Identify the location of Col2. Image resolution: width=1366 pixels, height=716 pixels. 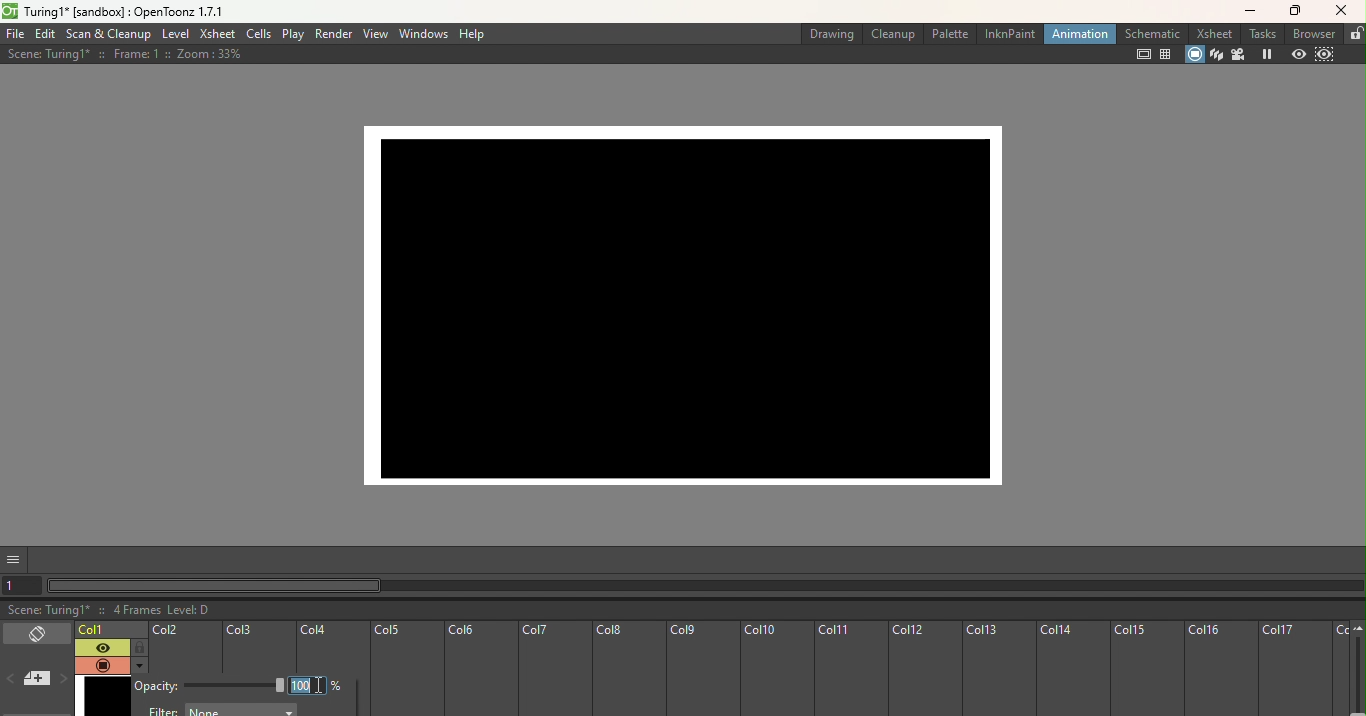
(184, 649).